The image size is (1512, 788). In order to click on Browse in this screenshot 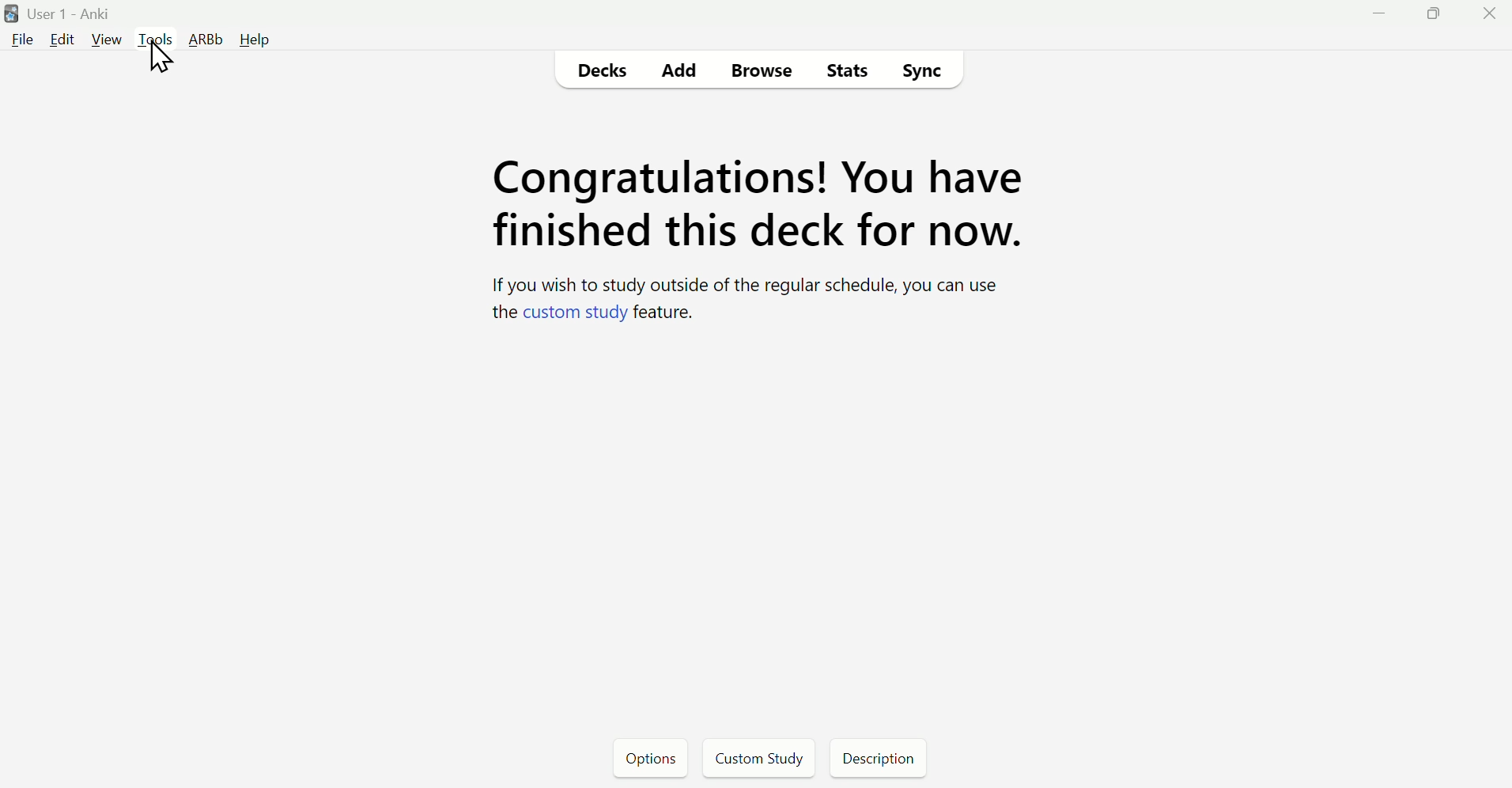, I will do `click(769, 70)`.